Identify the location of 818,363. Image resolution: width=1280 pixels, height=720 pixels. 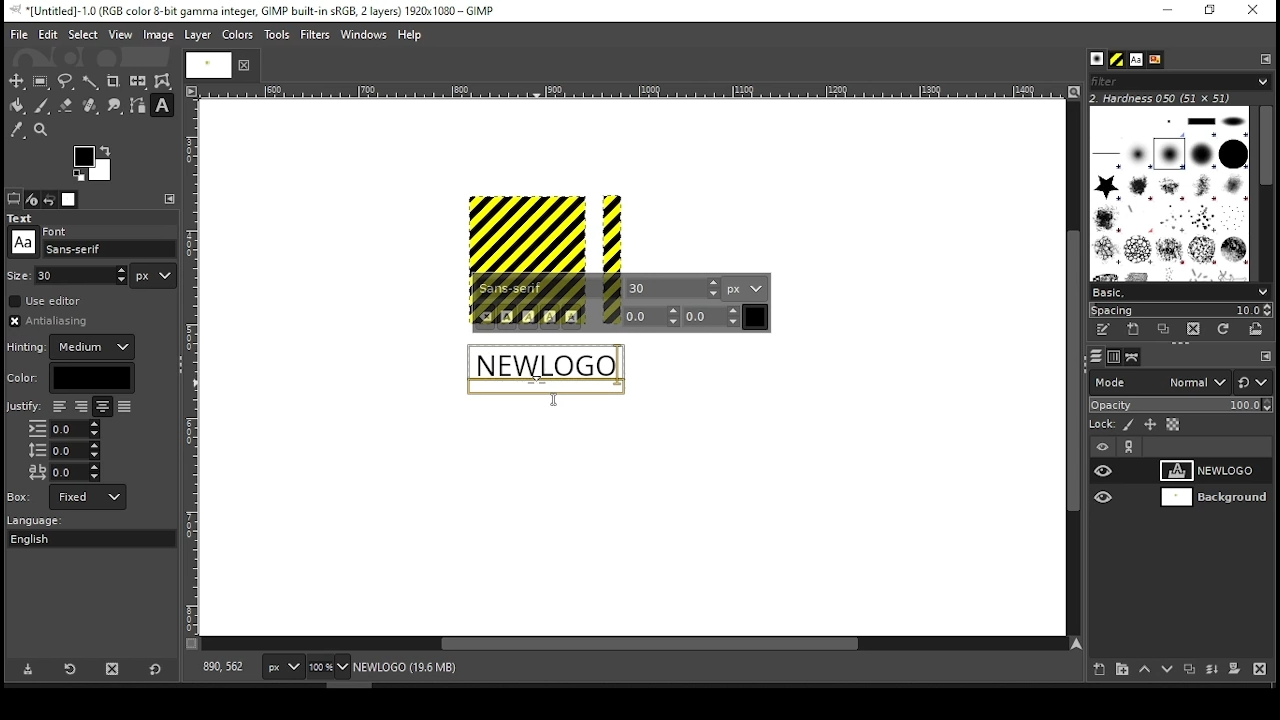
(221, 667).